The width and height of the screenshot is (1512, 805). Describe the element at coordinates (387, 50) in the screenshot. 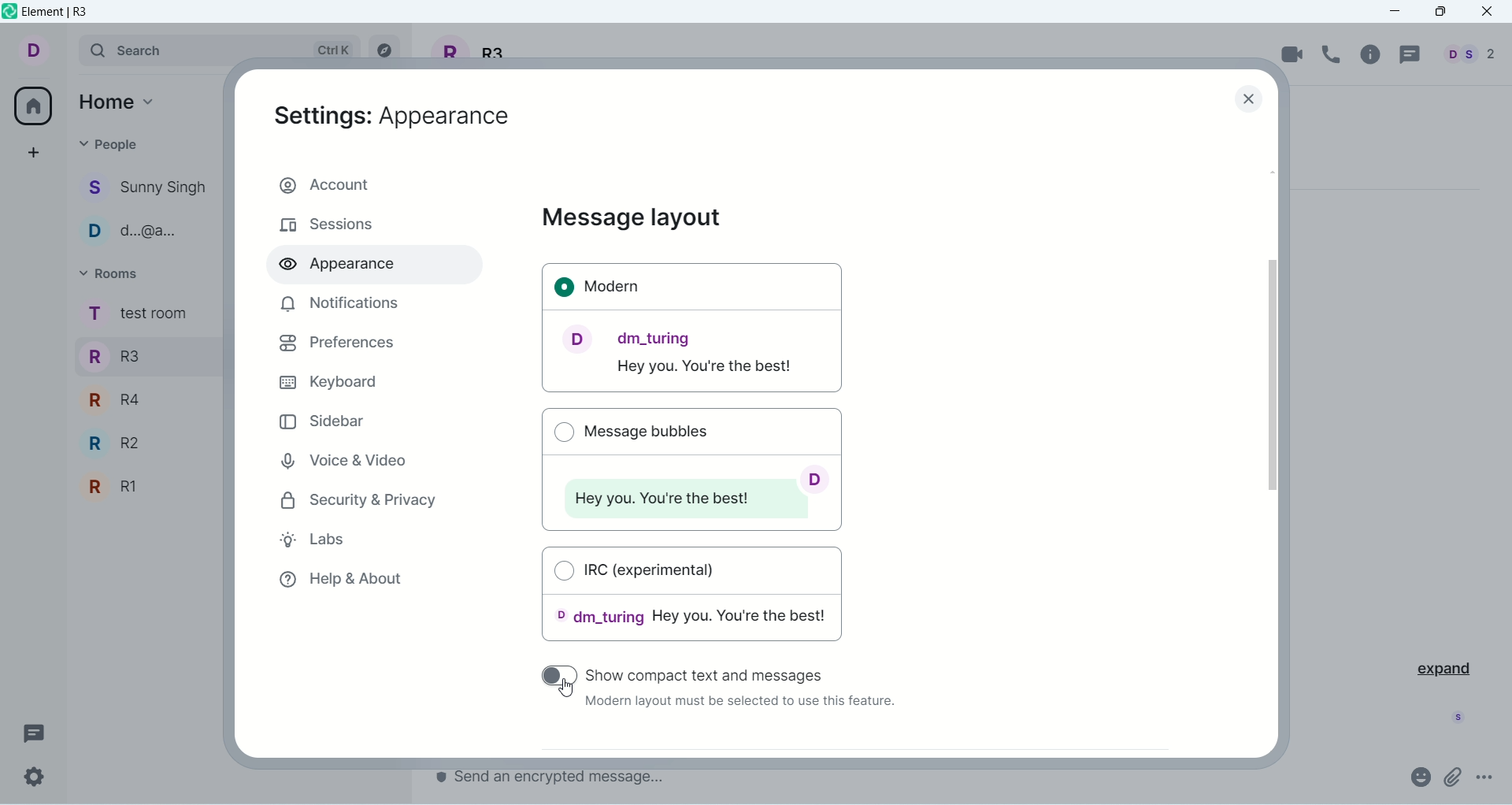

I see `explore rooms` at that location.